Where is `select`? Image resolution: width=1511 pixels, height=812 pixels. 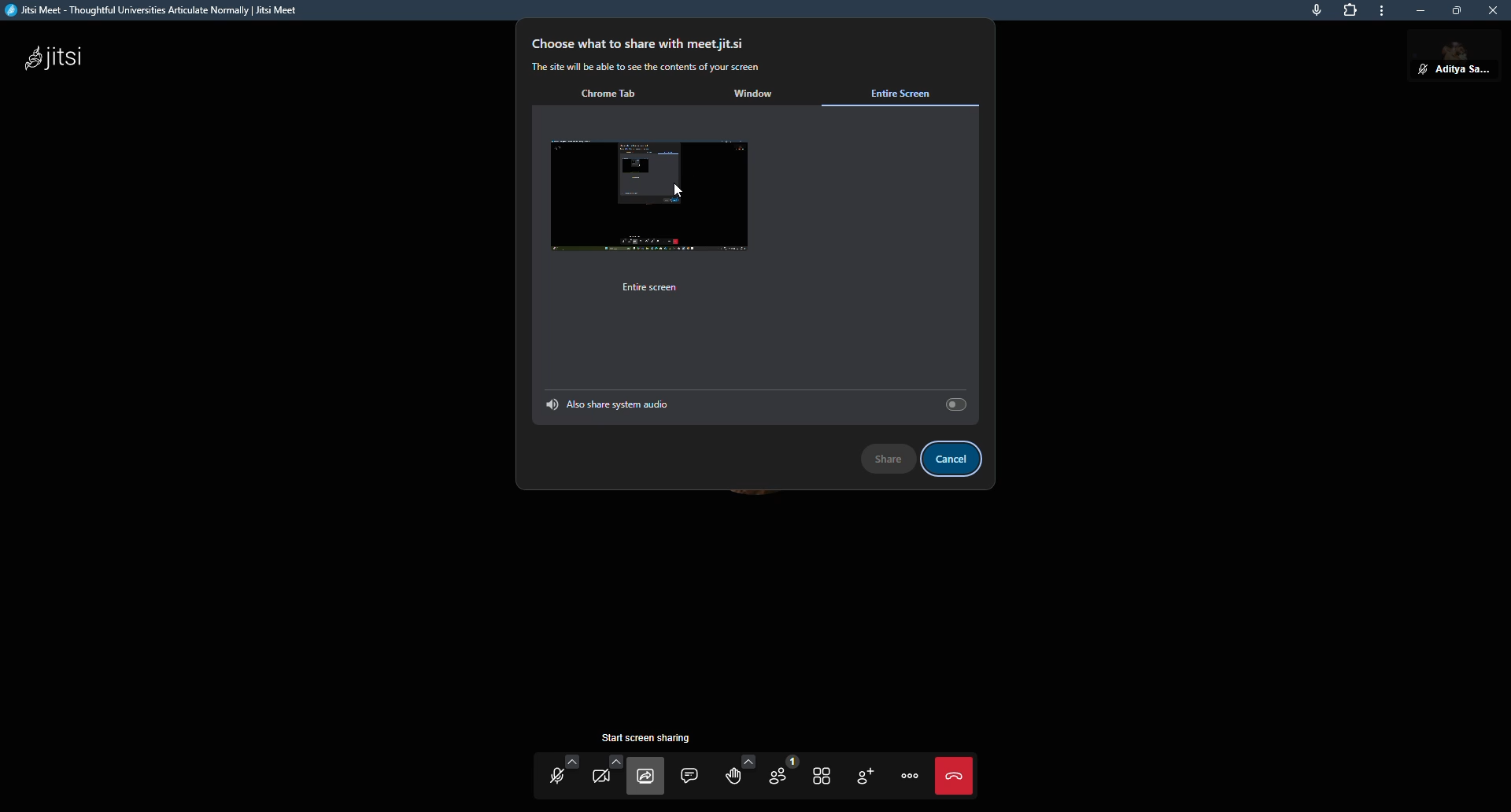 select is located at coordinates (953, 404).